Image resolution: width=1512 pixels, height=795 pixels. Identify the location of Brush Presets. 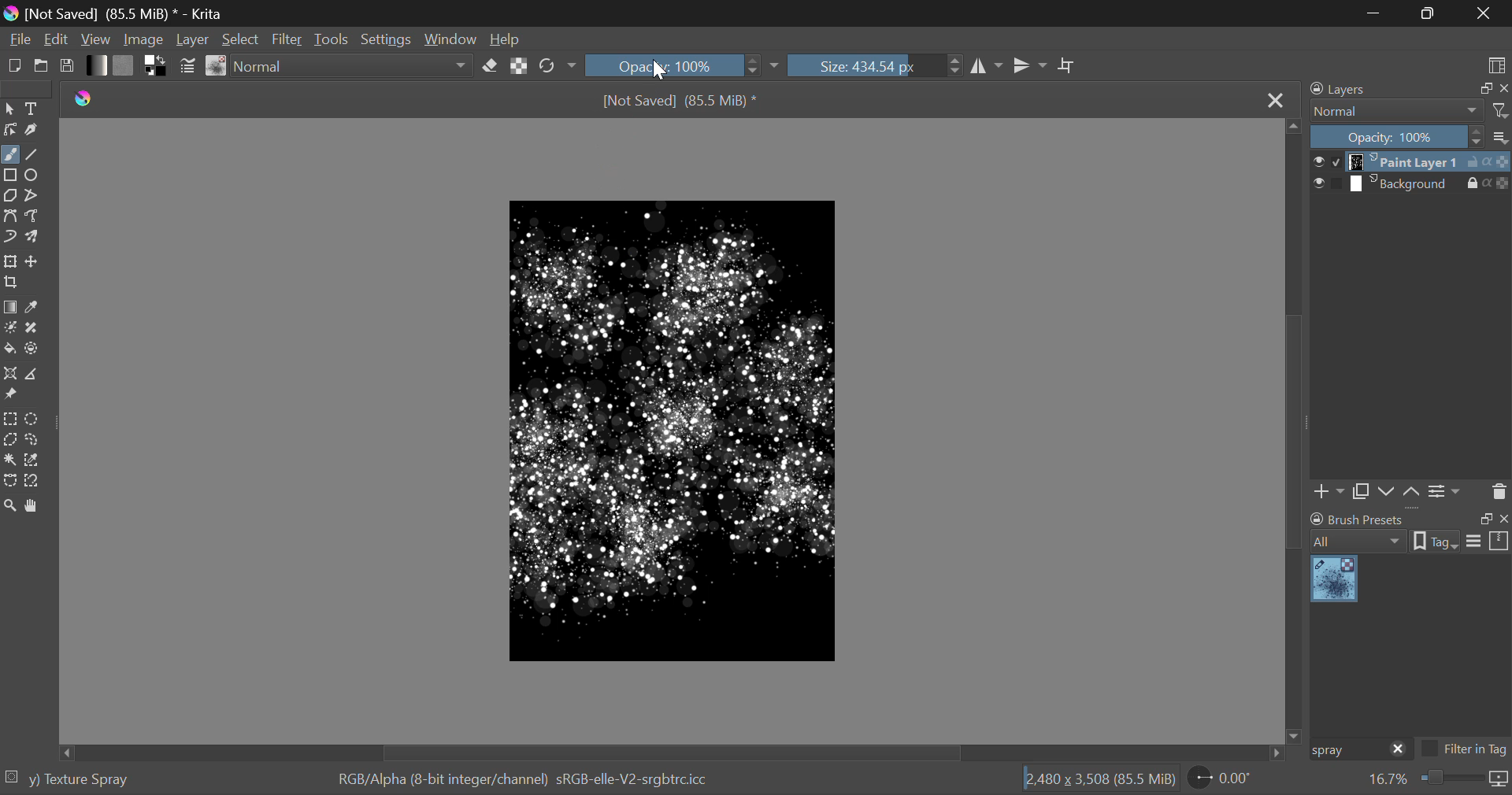
(217, 66).